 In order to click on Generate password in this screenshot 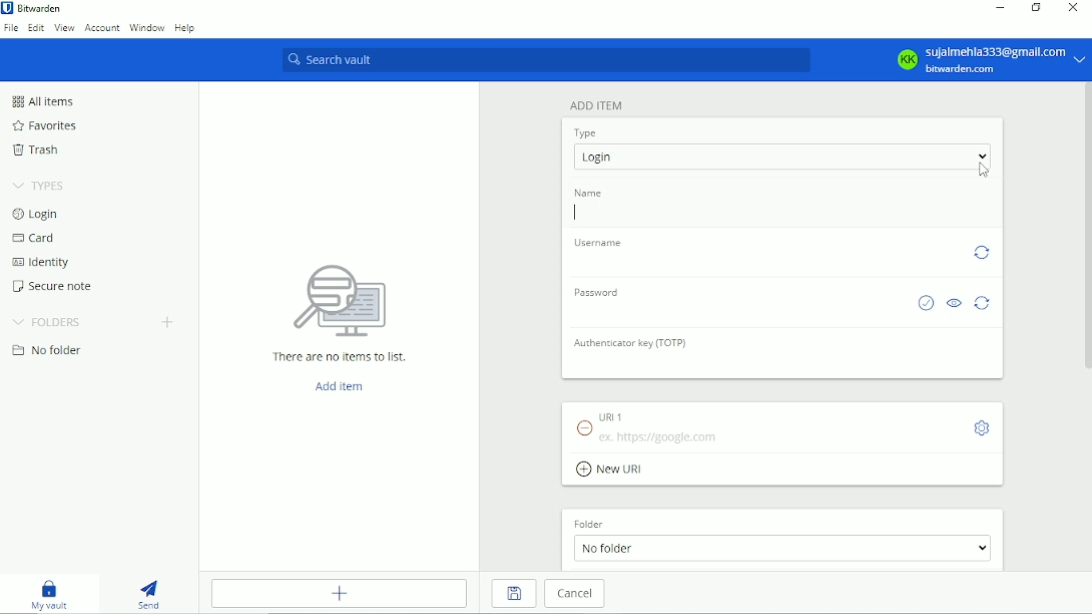, I will do `click(982, 303)`.